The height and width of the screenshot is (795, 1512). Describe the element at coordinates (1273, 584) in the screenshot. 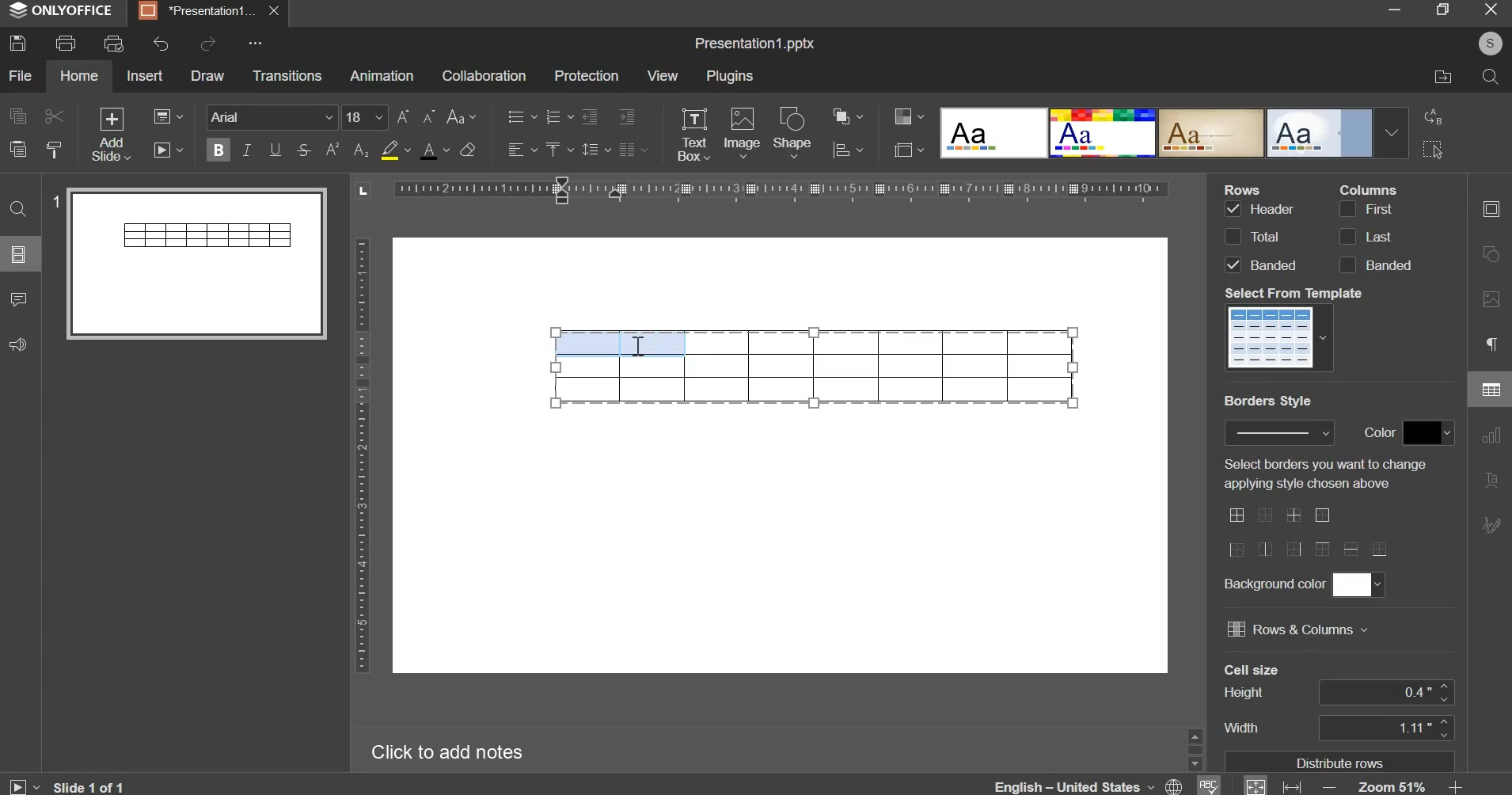

I see `Background color` at that location.